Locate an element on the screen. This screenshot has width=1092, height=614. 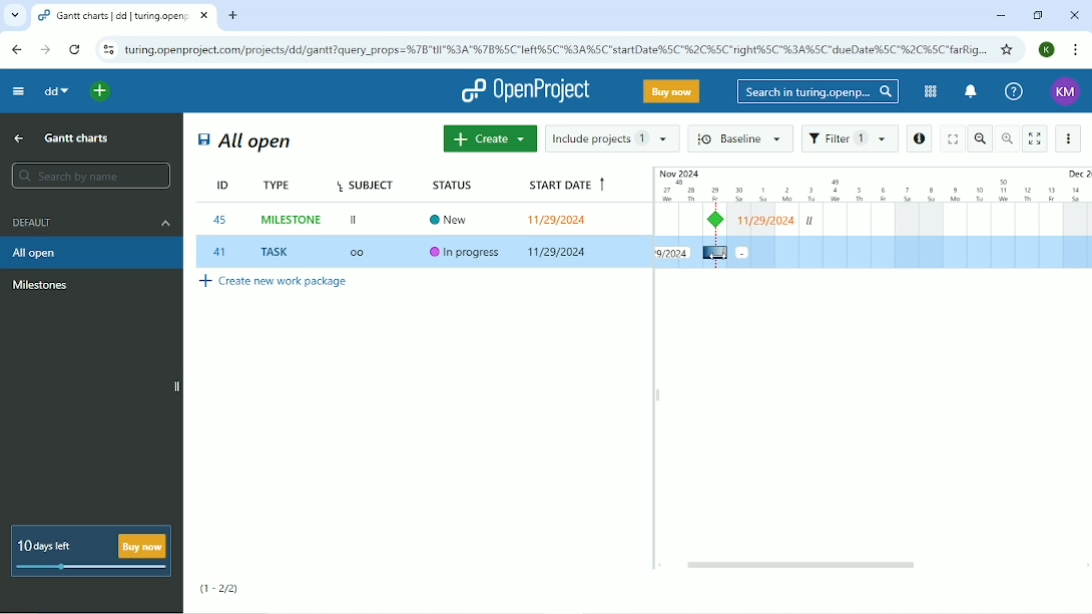
Back is located at coordinates (18, 49).